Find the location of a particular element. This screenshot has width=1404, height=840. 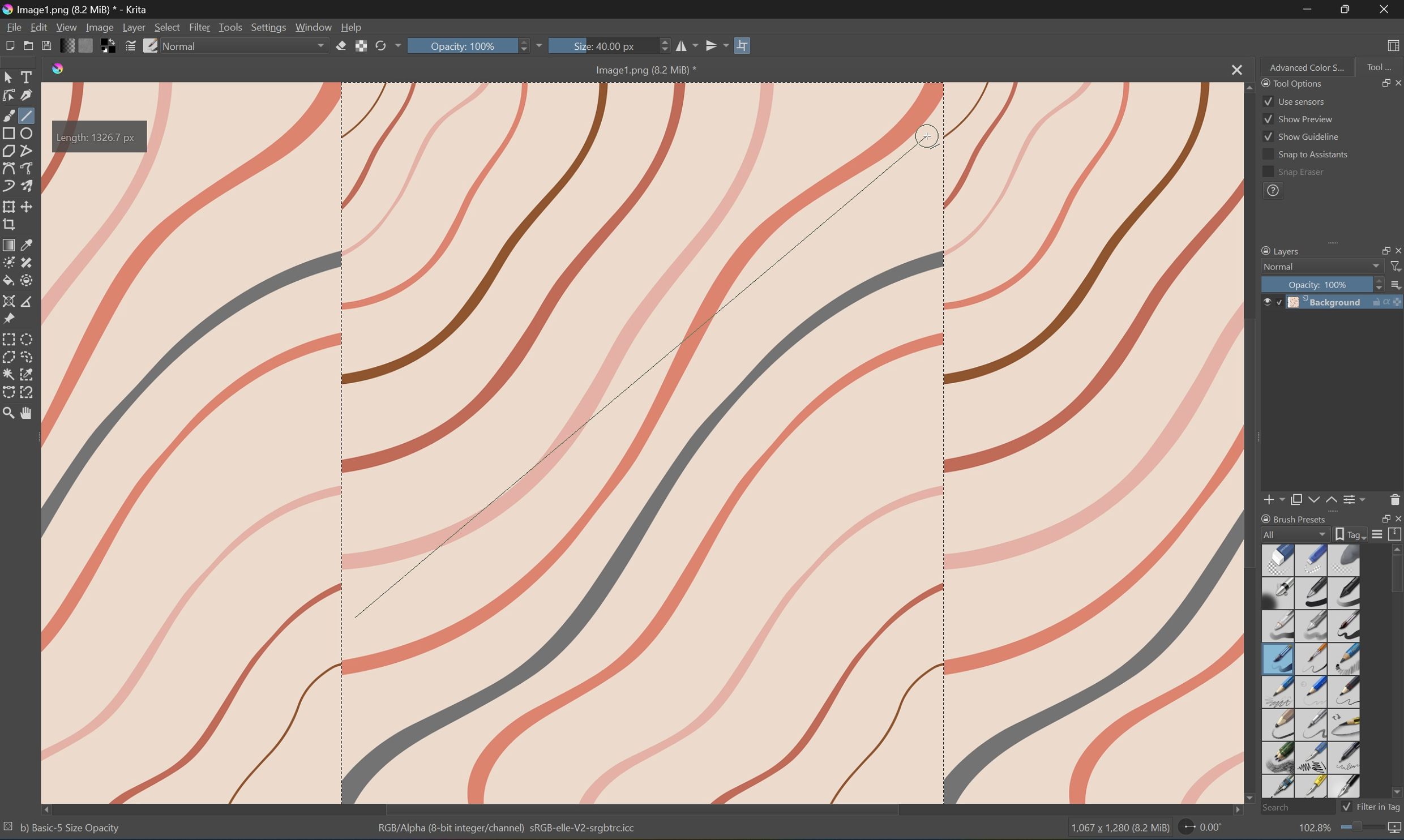

Snap to assistants is located at coordinates (1304, 155).